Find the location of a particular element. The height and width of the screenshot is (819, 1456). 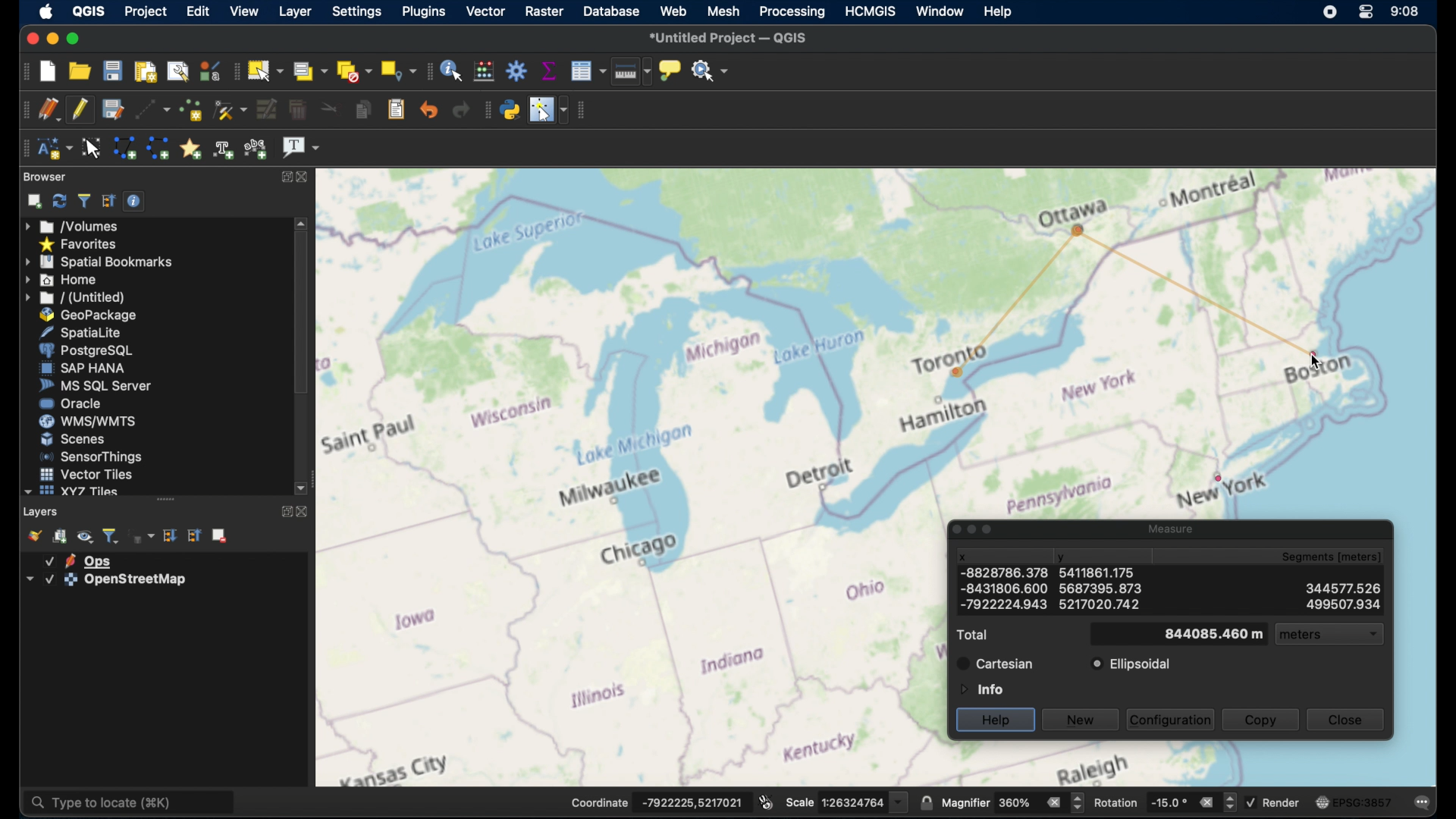

create line annotation is located at coordinates (158, 148).